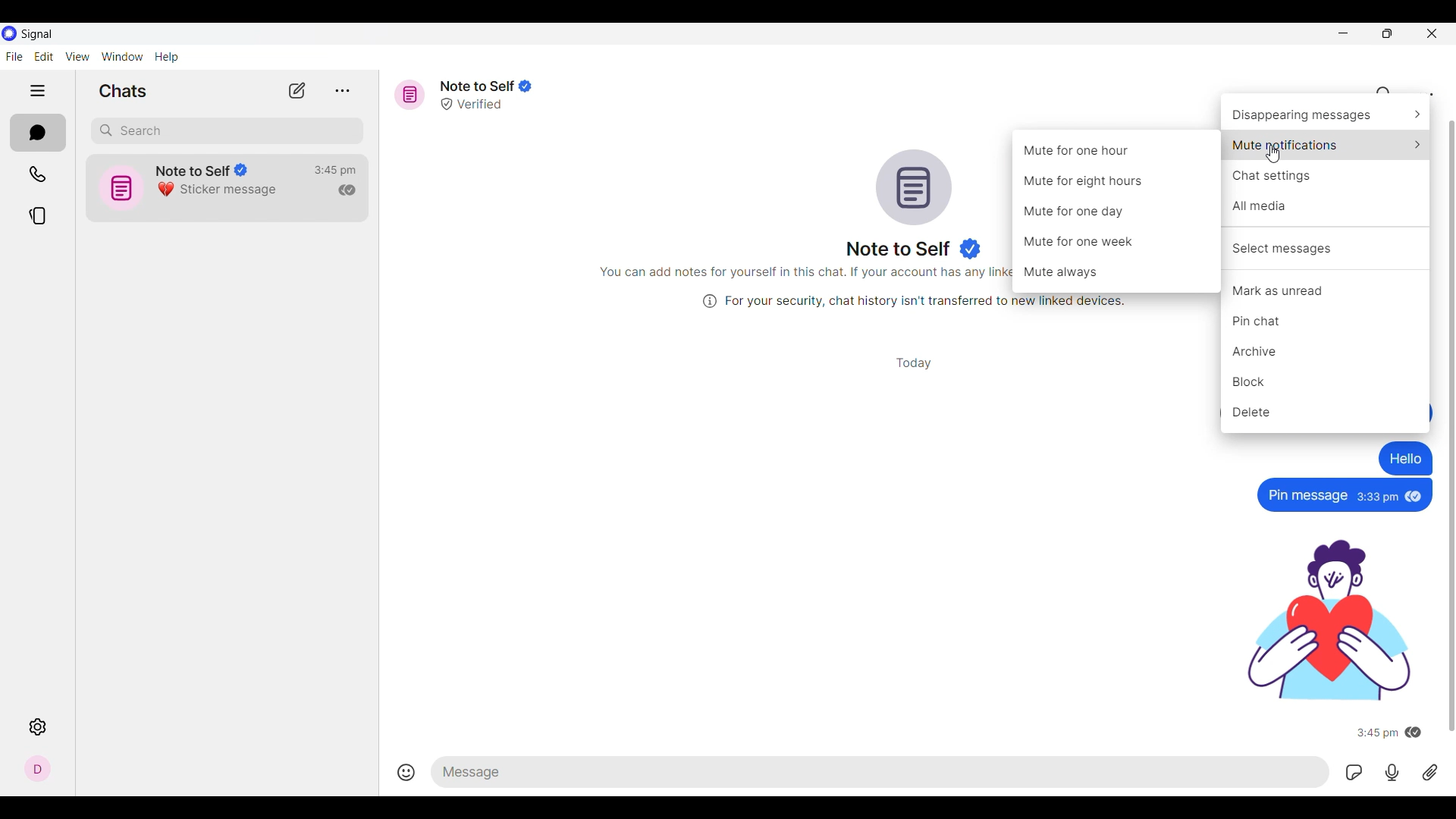 The image size is (1456, 819). Describe the element at coordinates (1326, 381) in the screenshot. I see `Block` at that location.